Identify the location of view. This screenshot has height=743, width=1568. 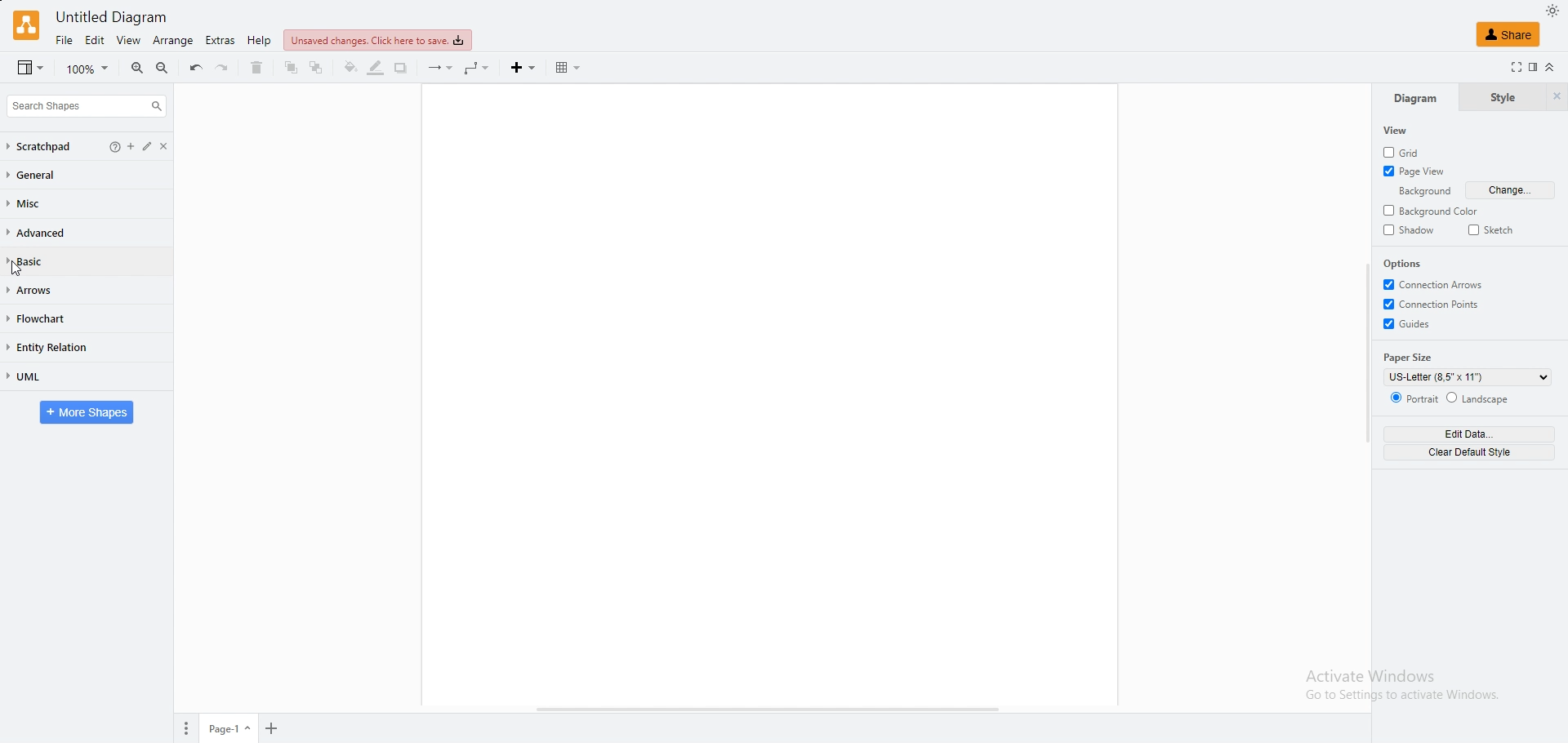
(1398, 131).